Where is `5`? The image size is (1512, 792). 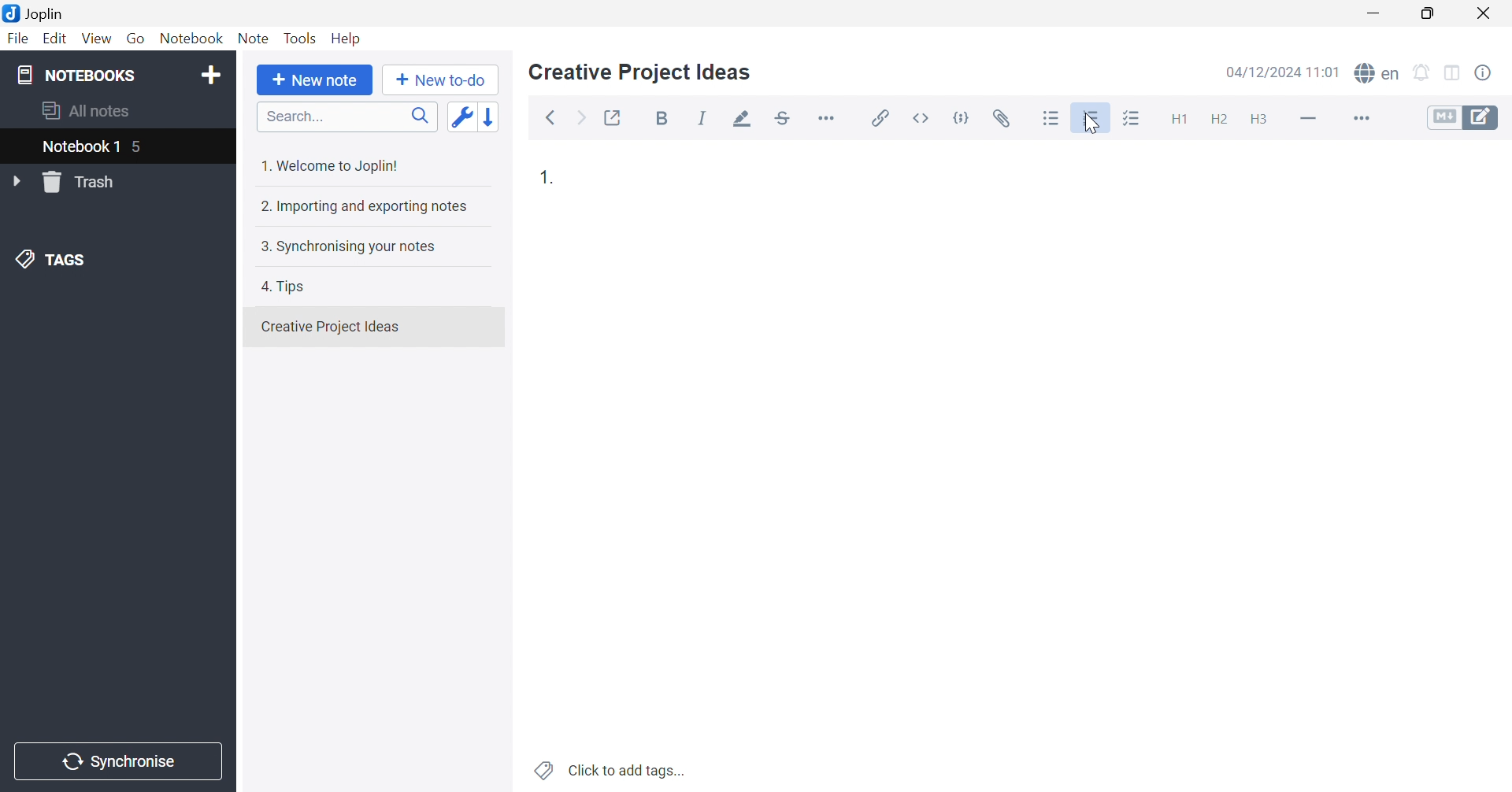
5 is located at coordinates (145, 147).